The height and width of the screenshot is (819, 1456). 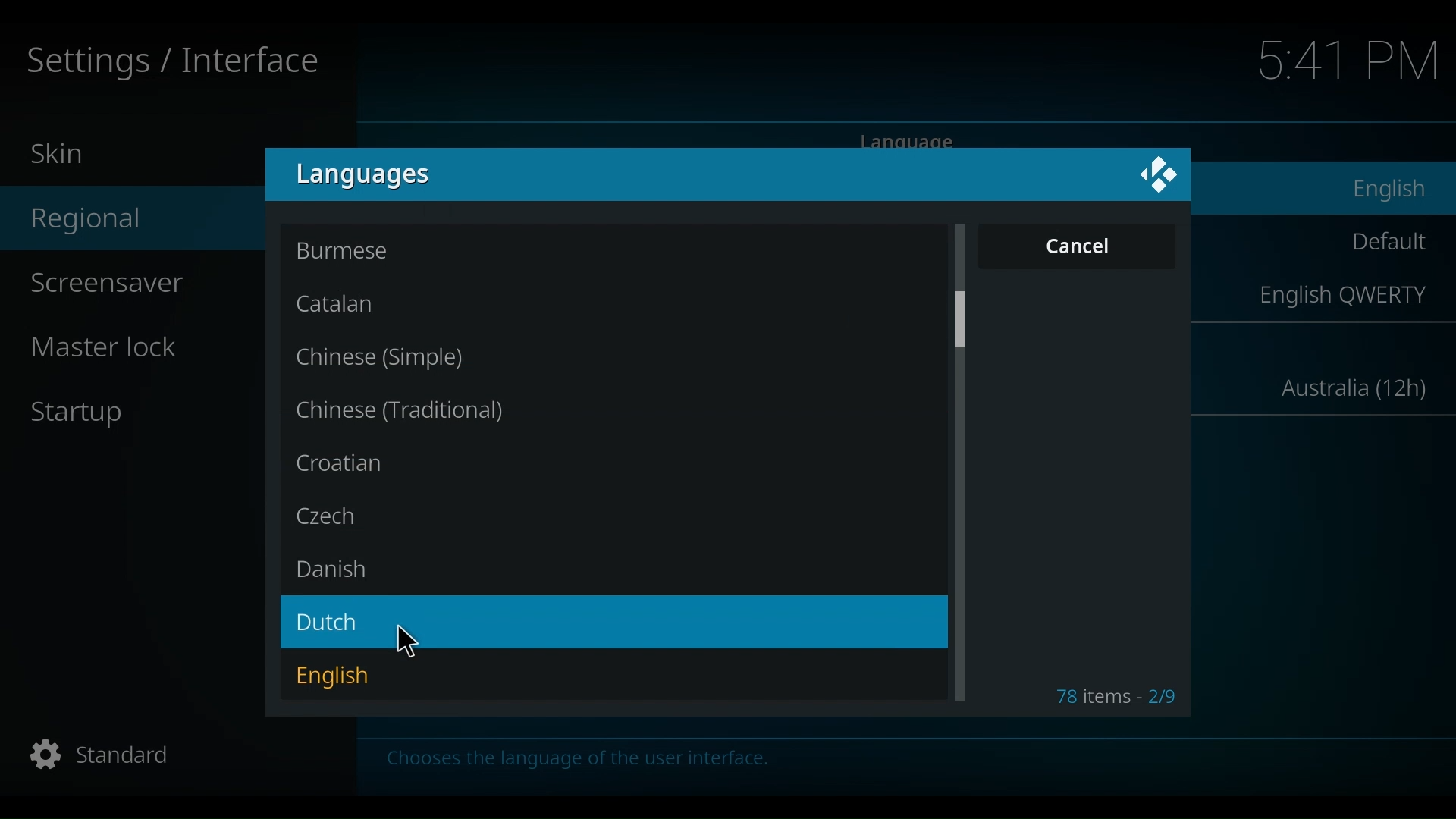 I want to click on Dutch, so click(x=610, y=621).